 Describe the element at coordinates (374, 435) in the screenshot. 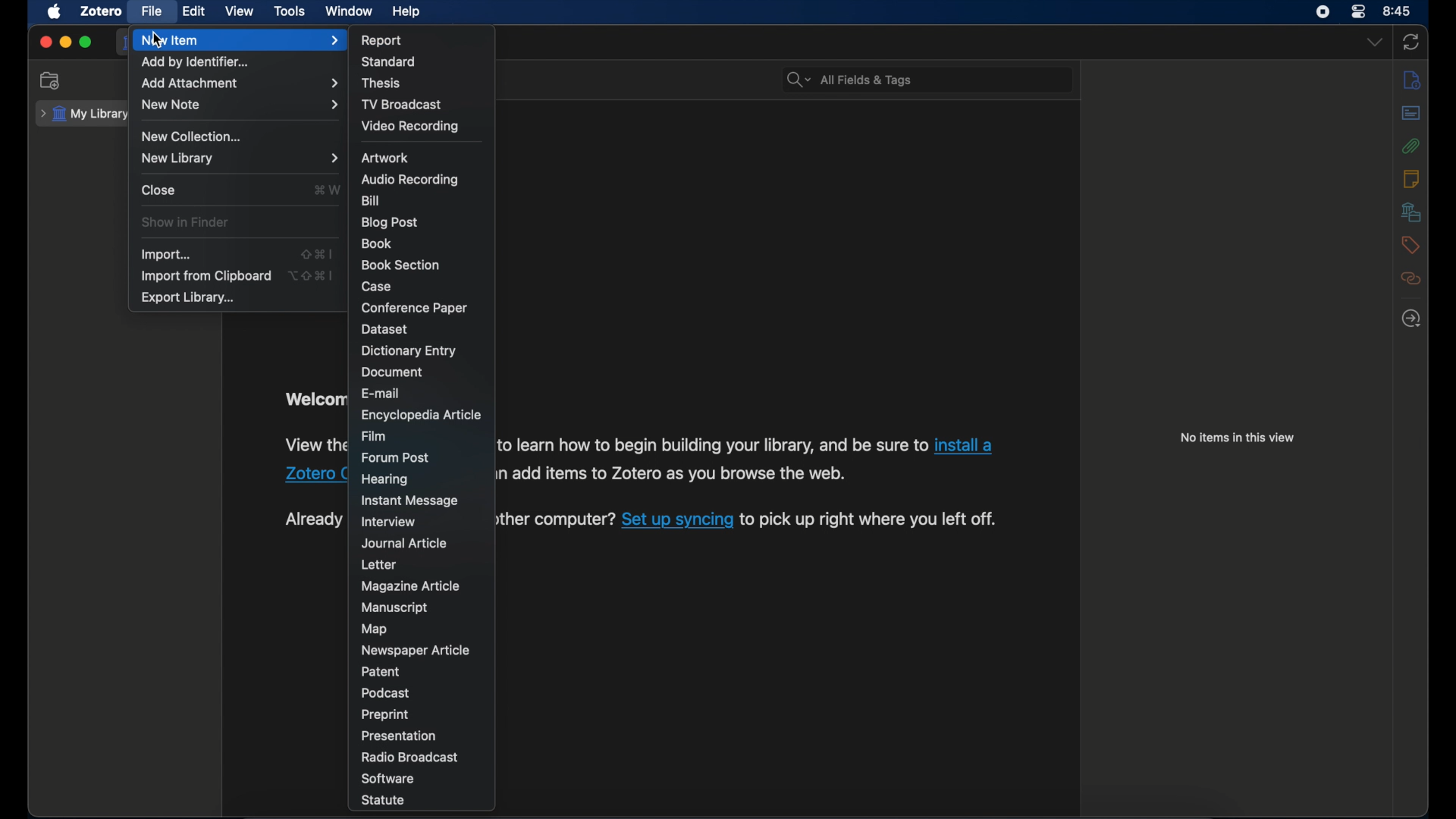

I see `film` at that location.